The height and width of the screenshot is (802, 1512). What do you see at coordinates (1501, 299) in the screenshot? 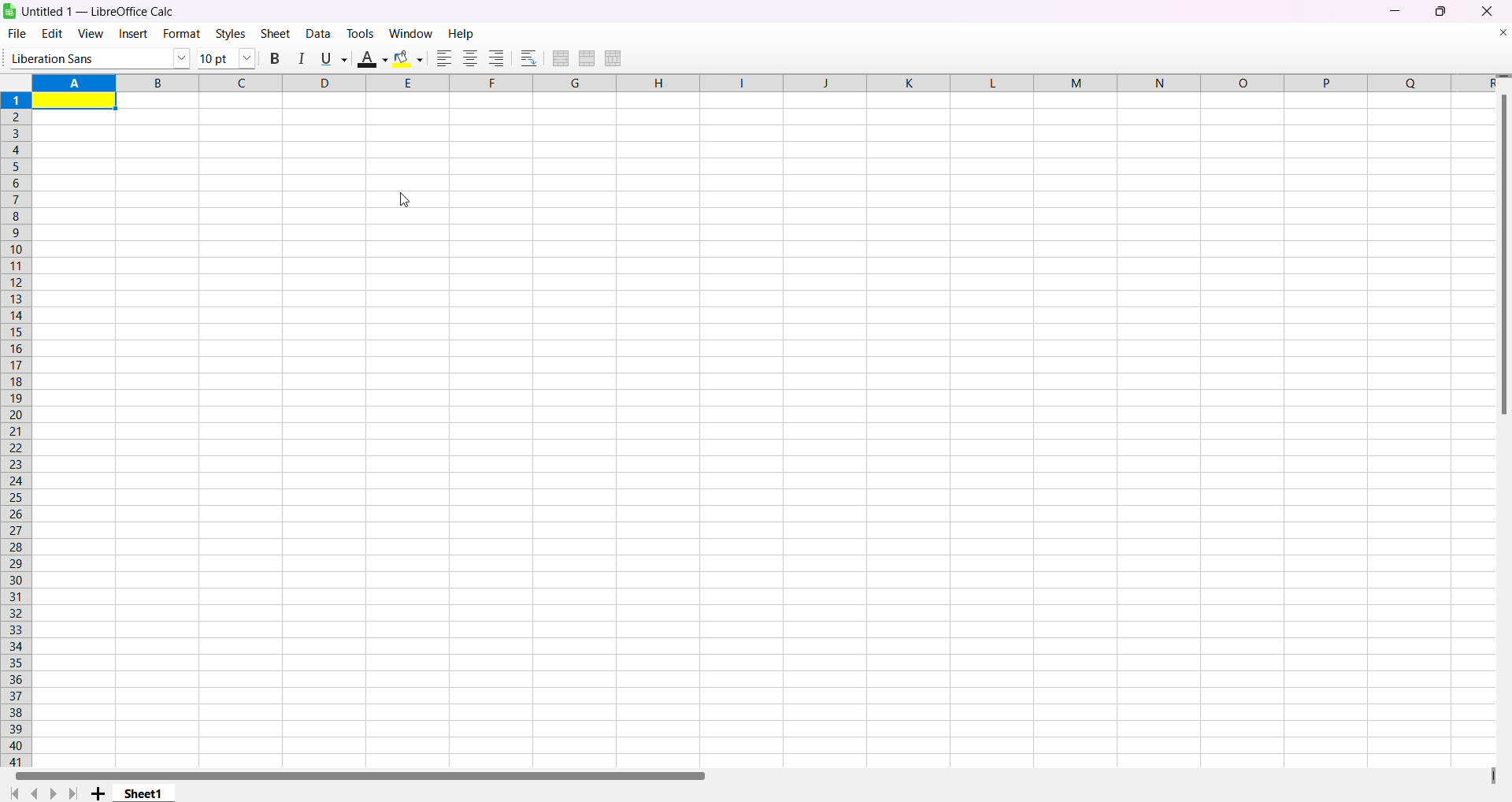
I see `scrollbar` at bounding box center [1501, 299].